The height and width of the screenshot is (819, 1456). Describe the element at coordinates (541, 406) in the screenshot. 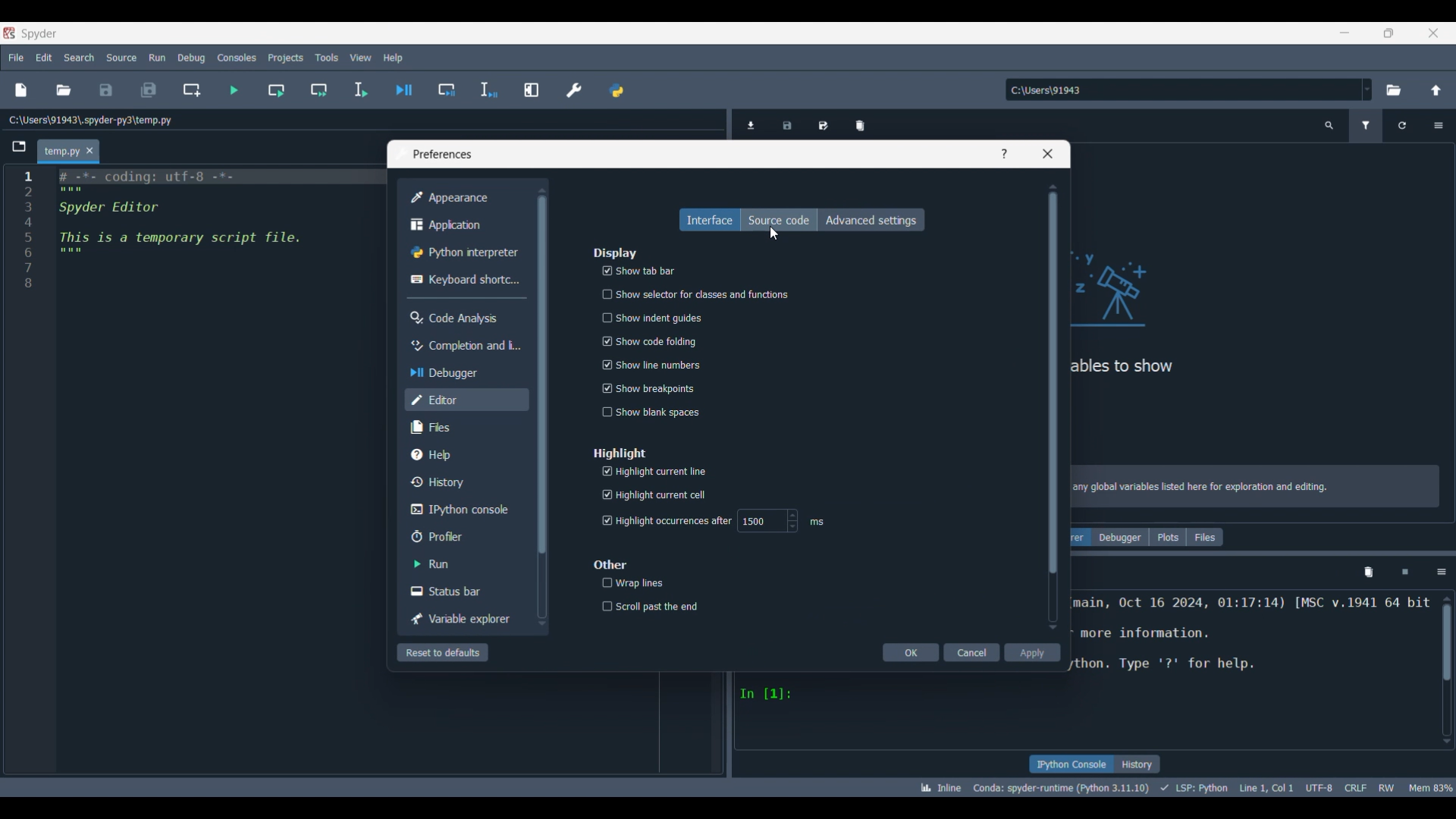

I see `Vertical slide bar` at that location.